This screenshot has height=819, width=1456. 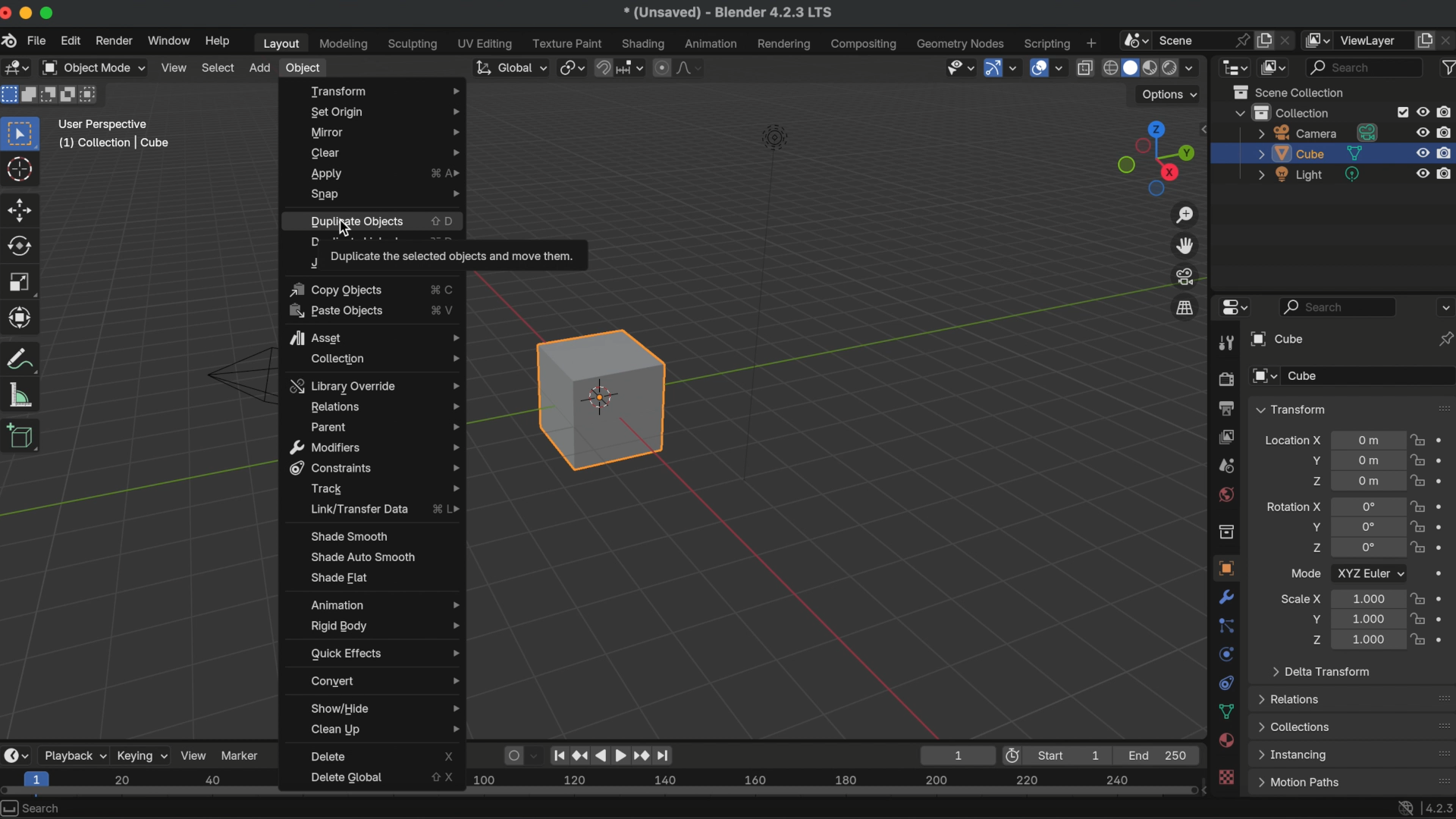 What do you see at coordinates (1275, 67) in the screenshot?
I see `display mode` at bounding box center [1275, 67].